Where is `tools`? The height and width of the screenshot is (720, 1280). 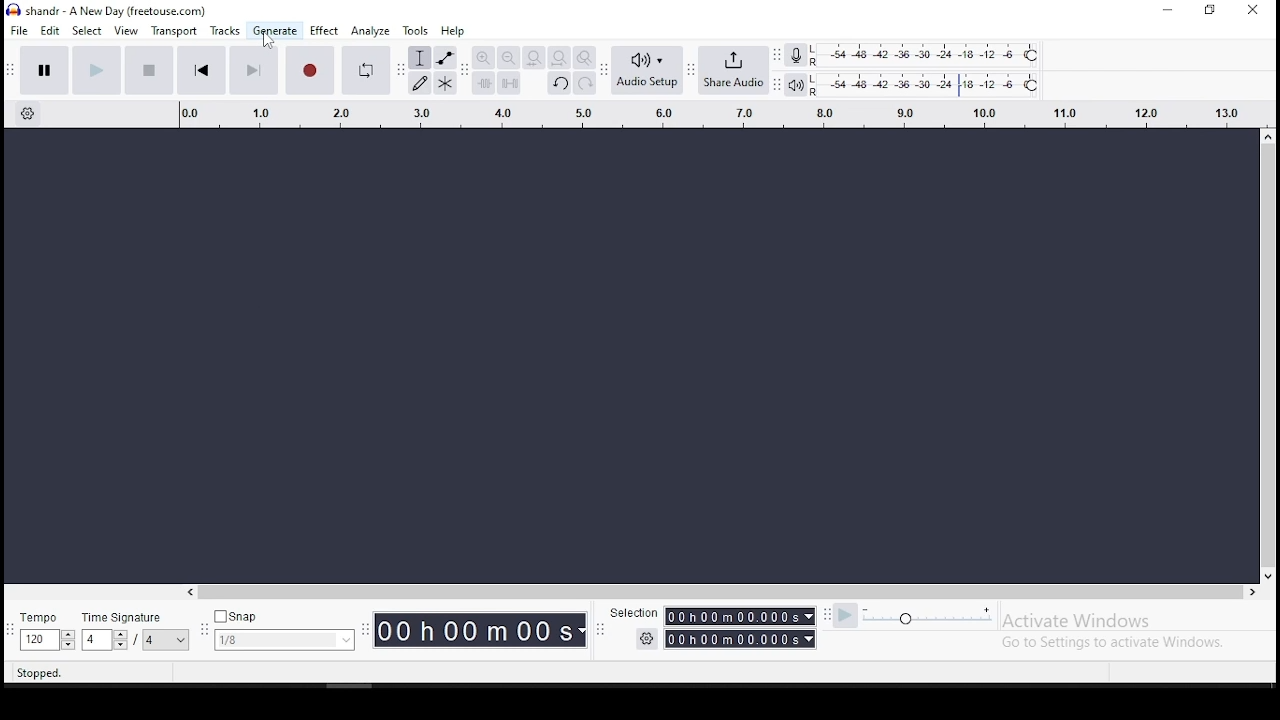 tools is located at coordinates (418, 30).